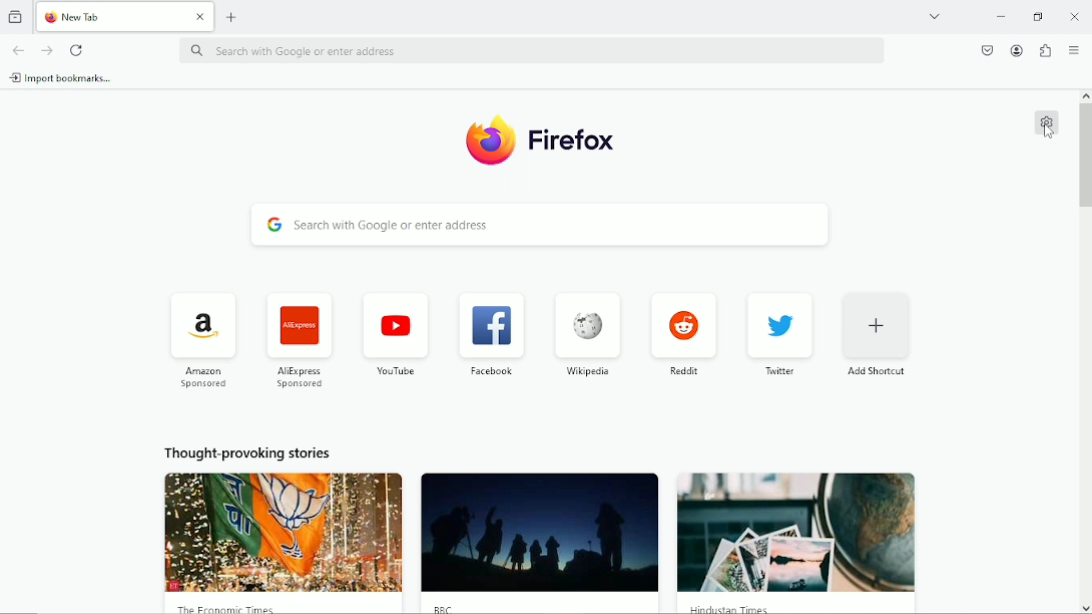 This screenshot has height=614, width=1092. What do you see at coordinates (684, 333) in the screenshot?
I see `Reddit` at bounding box center [684, 333].